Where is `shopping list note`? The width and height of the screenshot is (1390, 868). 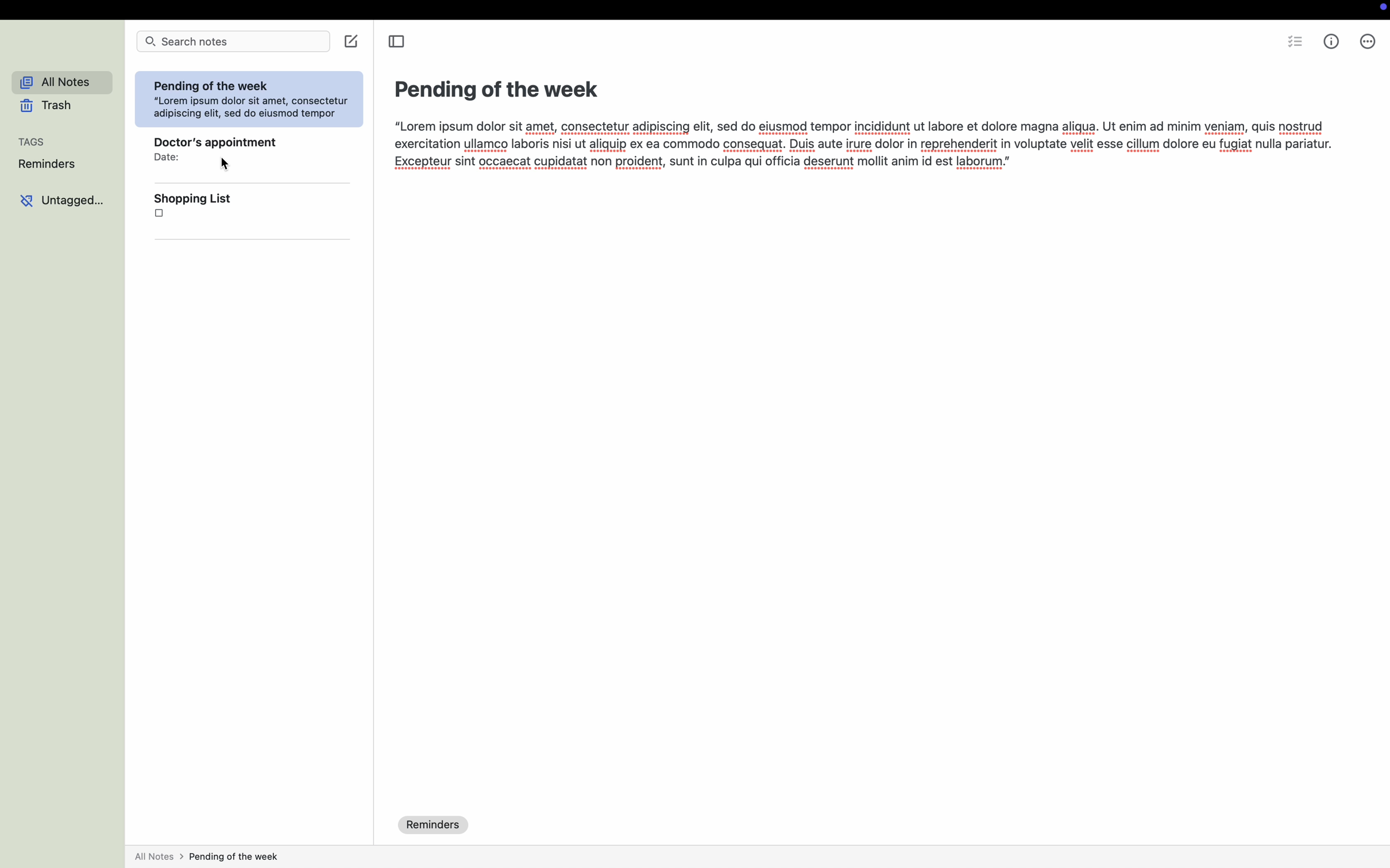
shopping list note is located at coordinates (195, 210).